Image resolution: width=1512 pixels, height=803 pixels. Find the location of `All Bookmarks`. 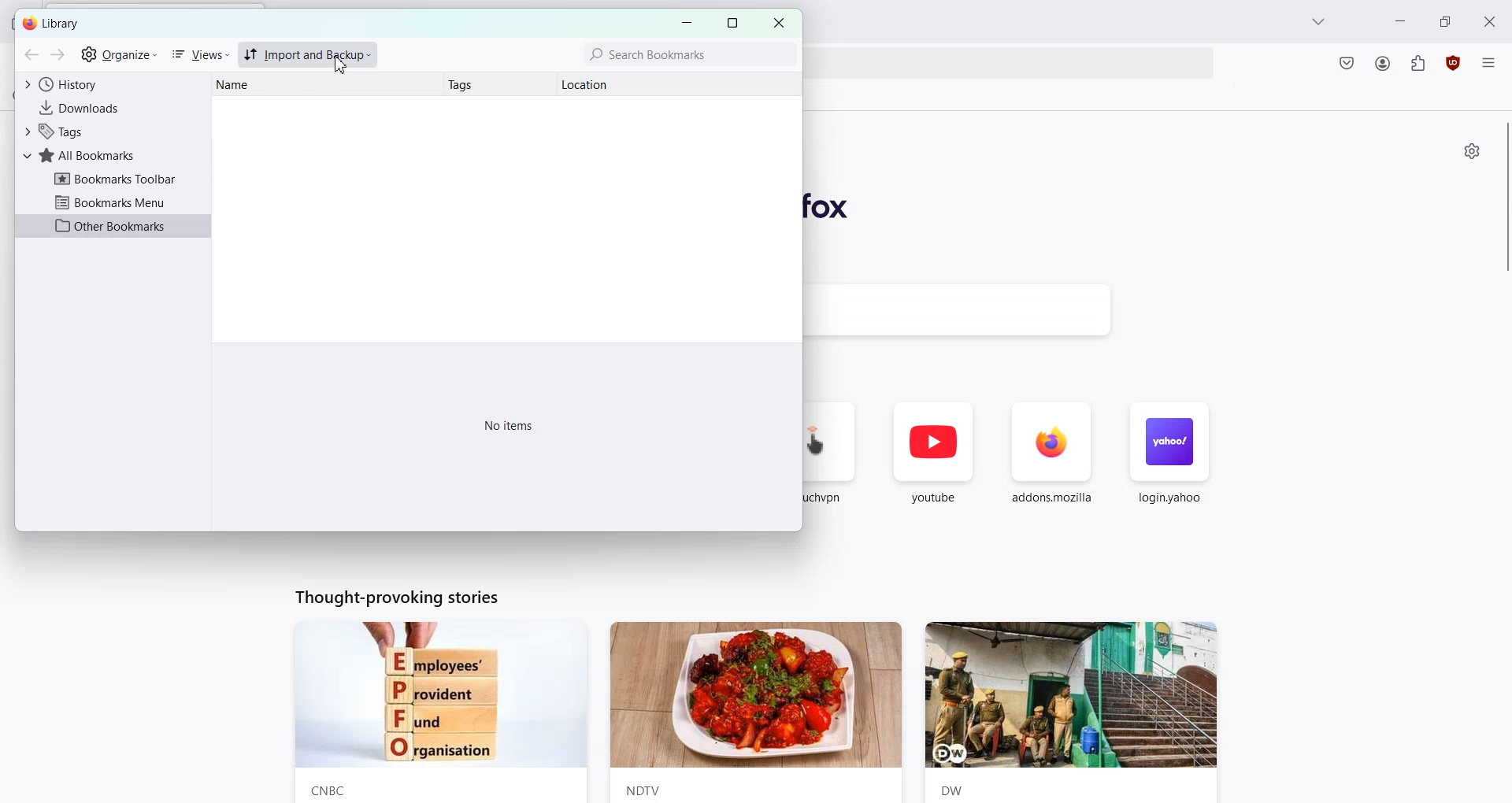

All Bookmarks is located at coordinates (112, 155).